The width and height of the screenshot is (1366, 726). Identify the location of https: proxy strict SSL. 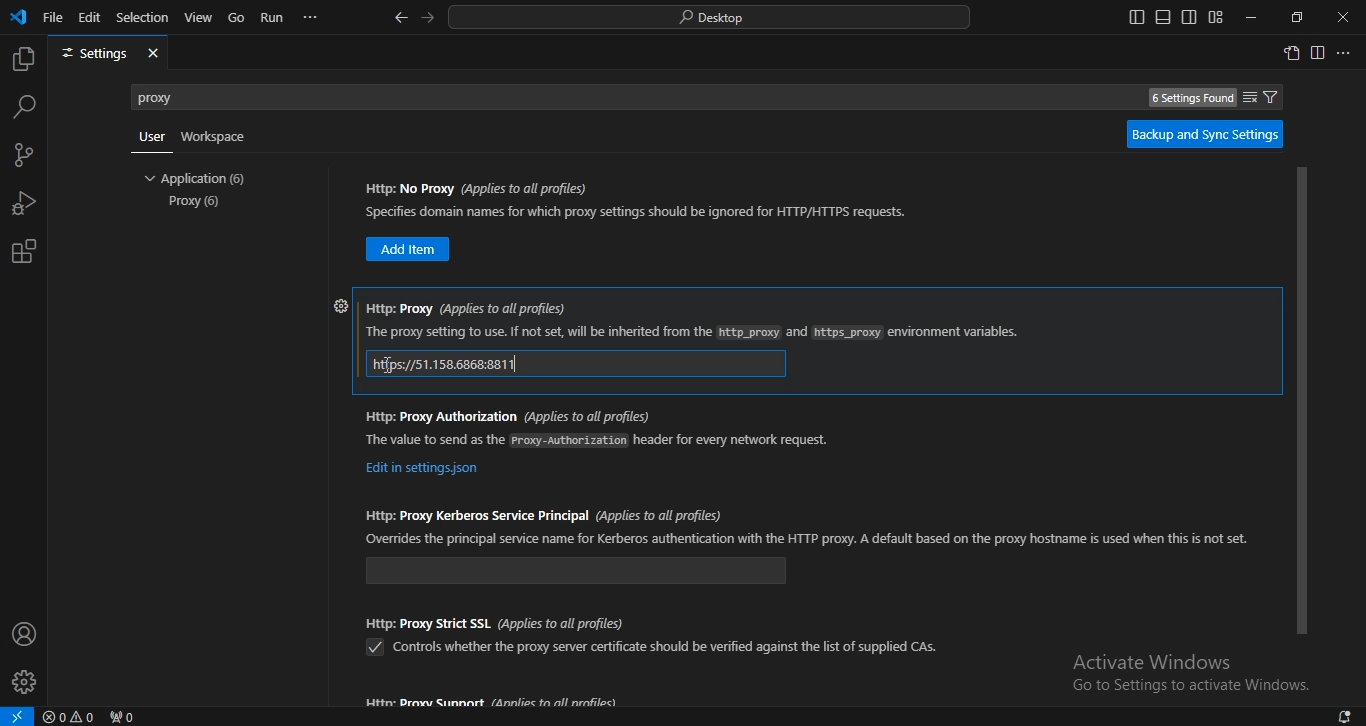
(496, 621).